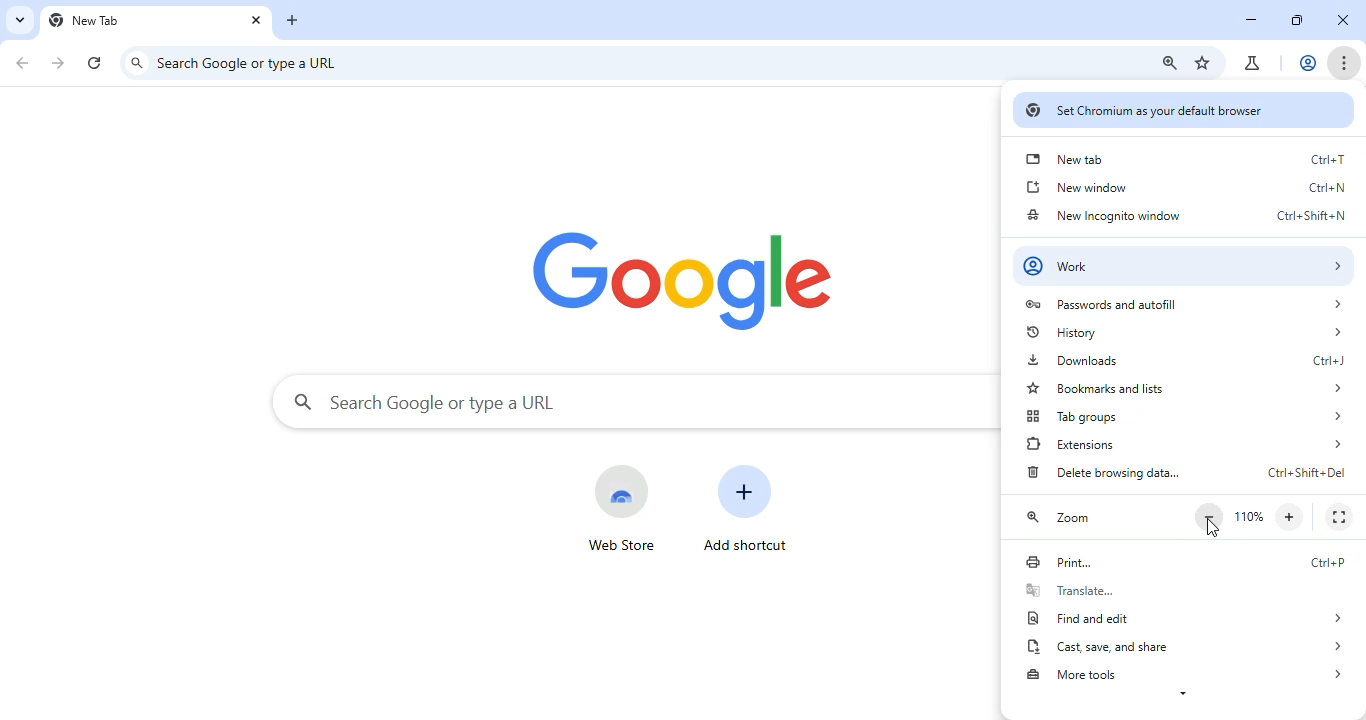 This screenshot has height=720, width=1366. What do you see at coordinates (1292, 517) in the screenshot?
I see `zoom in` at bounding box center [1292, 517].